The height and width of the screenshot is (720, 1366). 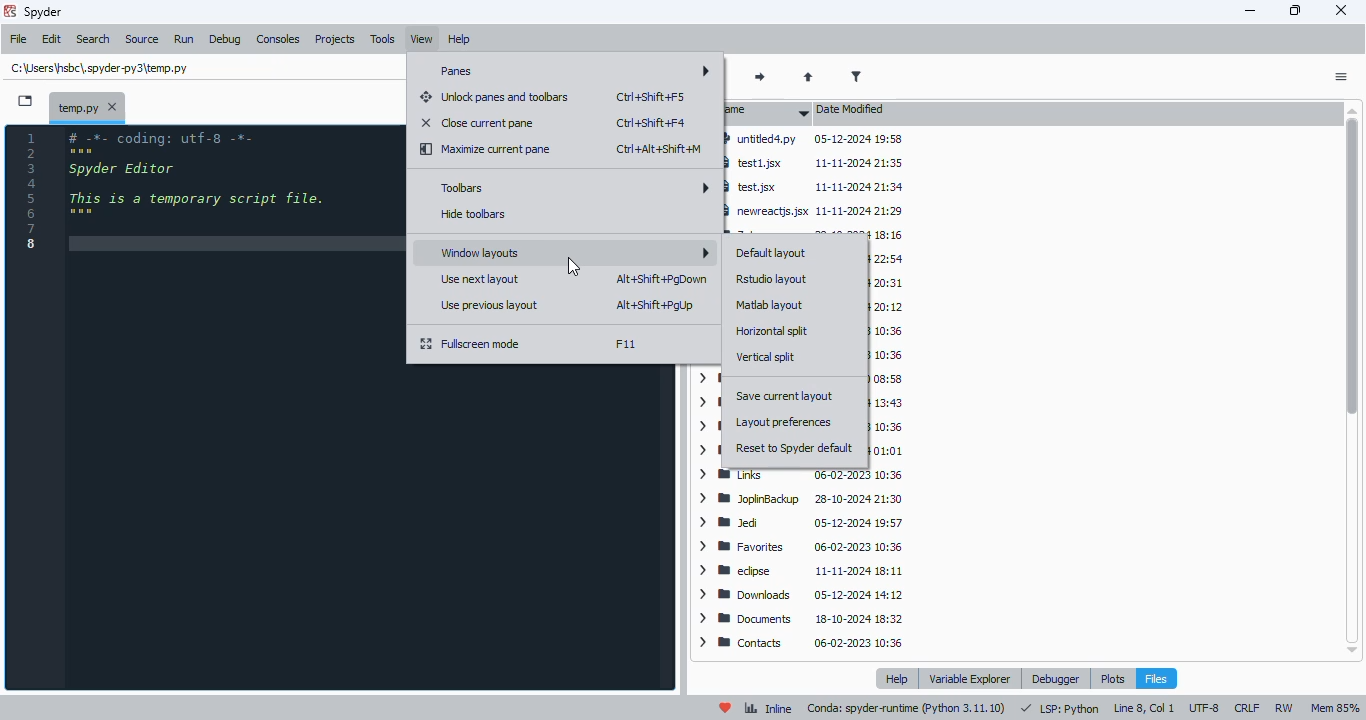 What do you see at coordinates (815, 232) in the screenshot?
I see `Zotero` at bounding box center [815, 232].